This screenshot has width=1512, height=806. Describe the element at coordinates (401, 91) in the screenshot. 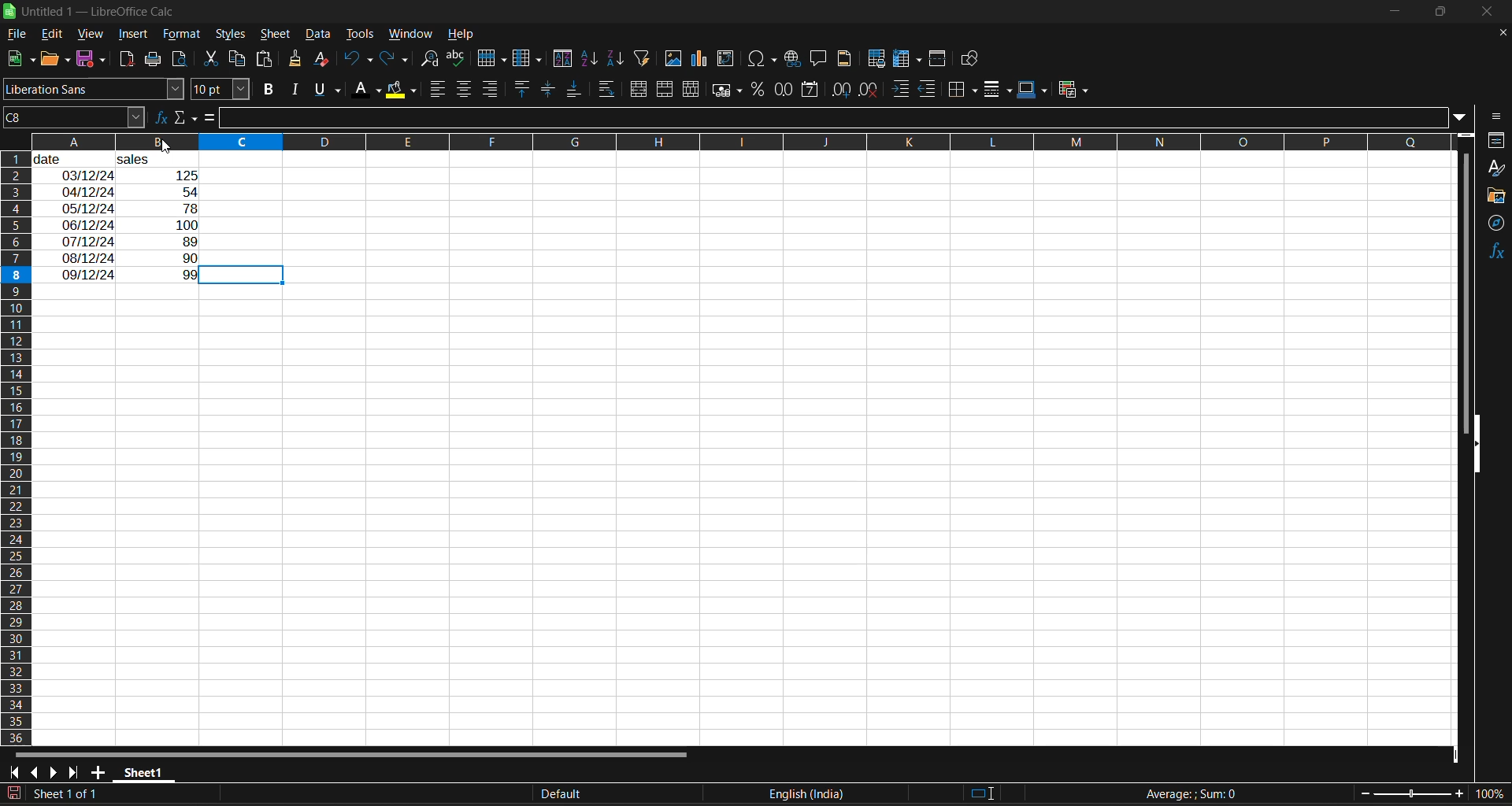

I see `background color` at that location.